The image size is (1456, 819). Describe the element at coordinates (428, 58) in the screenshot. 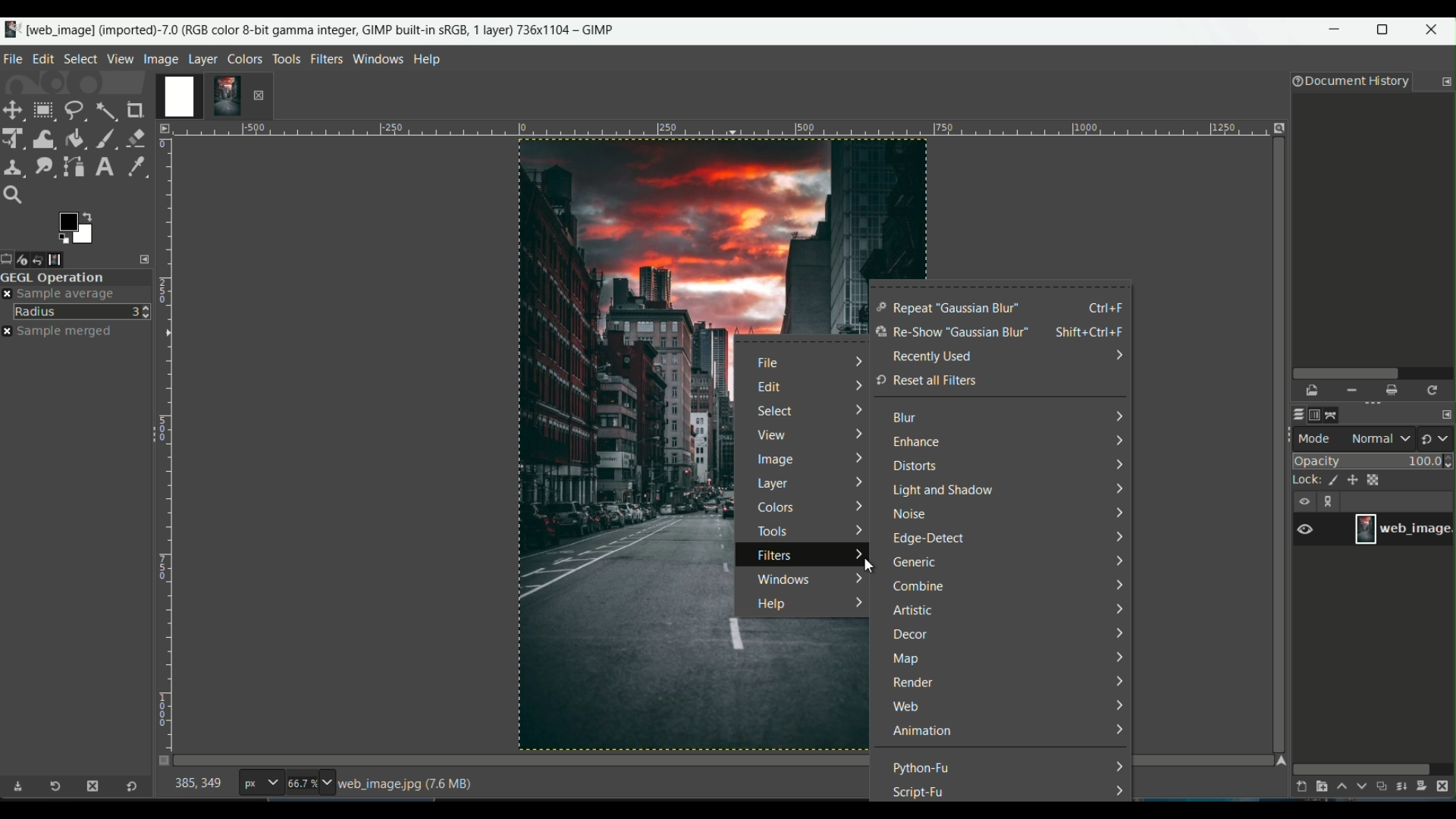

I see `help tab` at that location.